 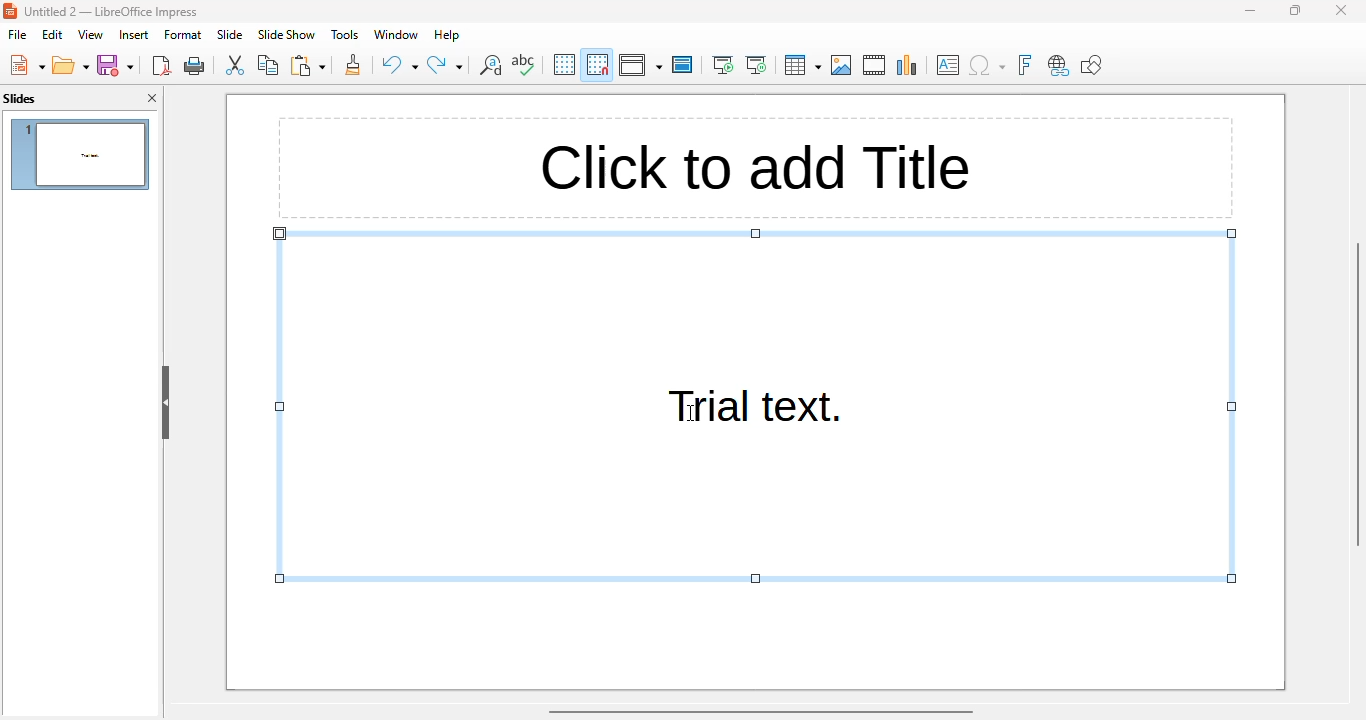 I want to click on display views, so click(x=639, y=65).